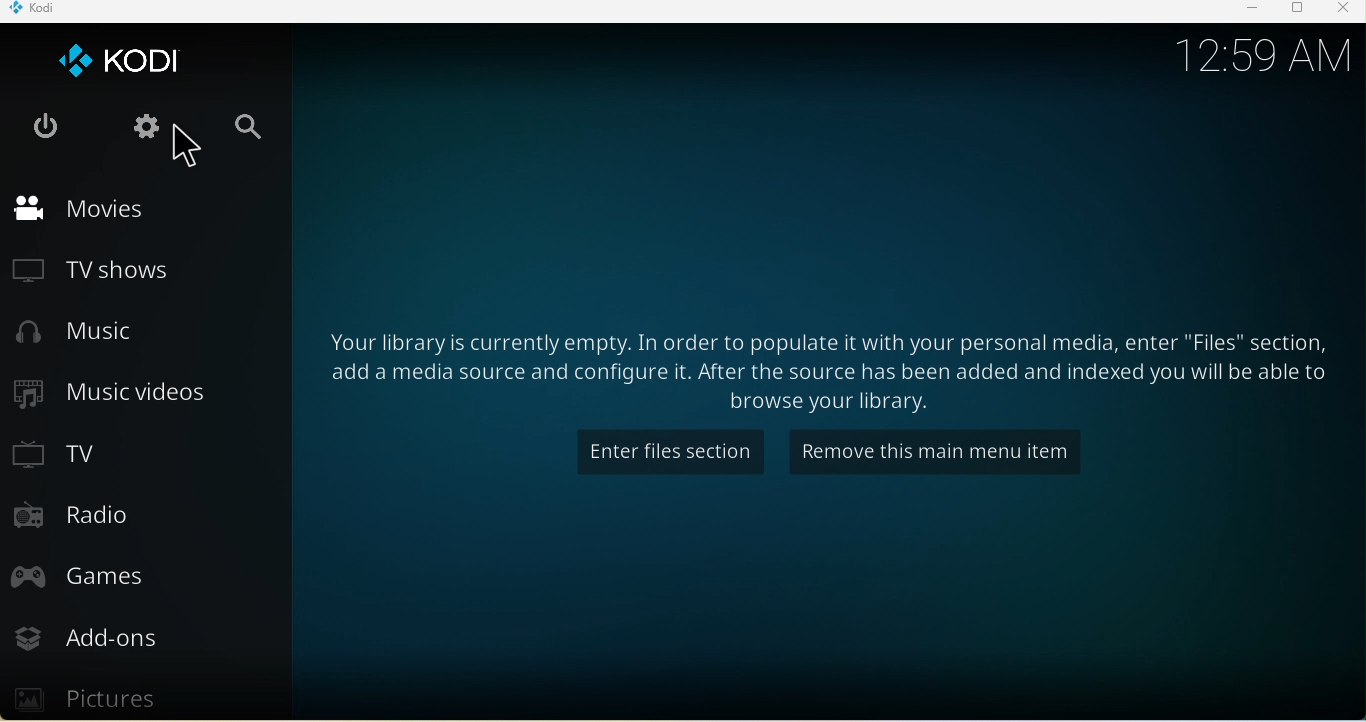  I want to click on Pictures, so click(97, 693).